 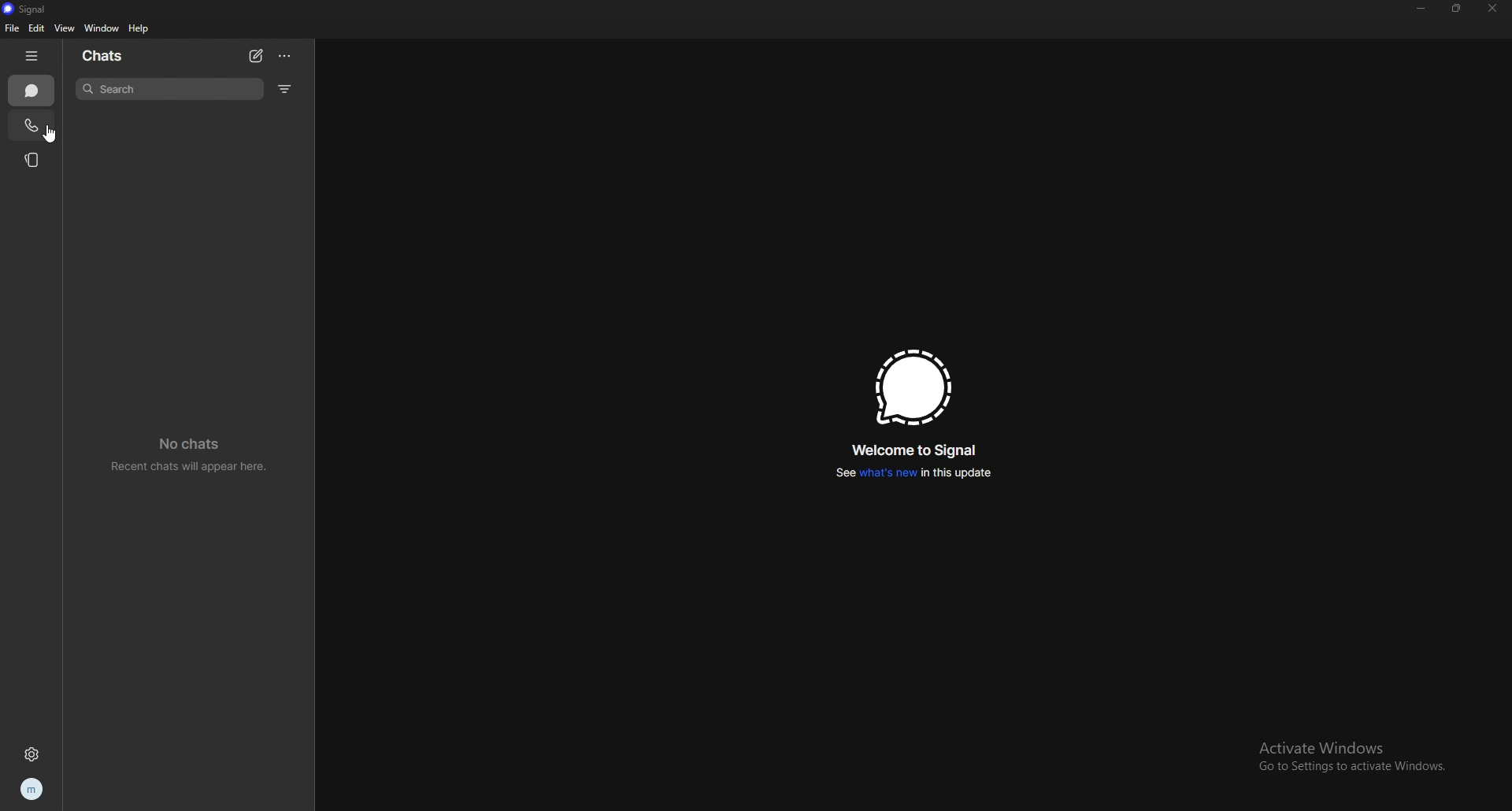 What do you see at coordinates (102, 28) in the screenshot?
I see `window` at bounding box center [102, 28].